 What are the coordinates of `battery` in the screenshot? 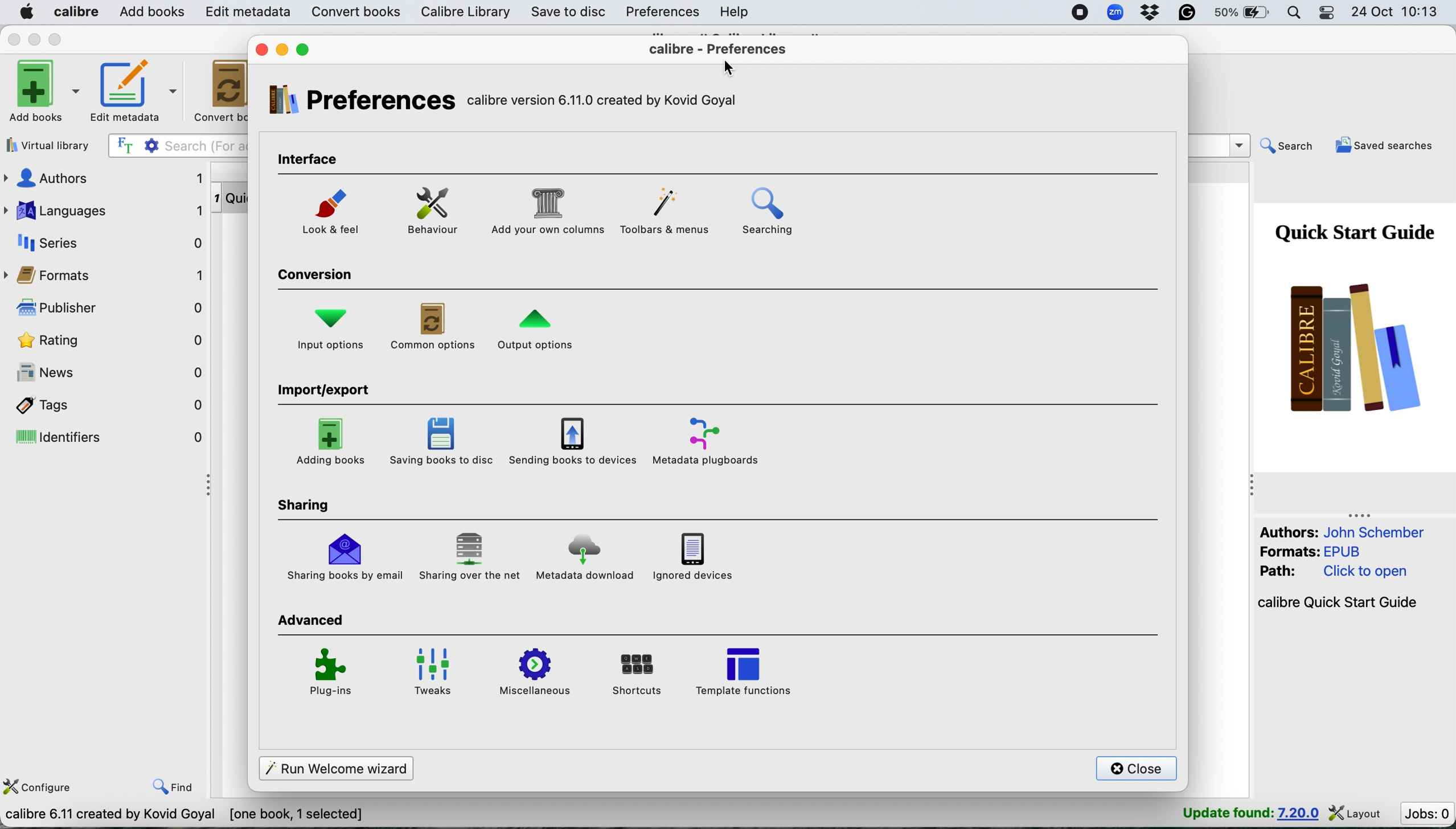 It's located at (1243, 14).